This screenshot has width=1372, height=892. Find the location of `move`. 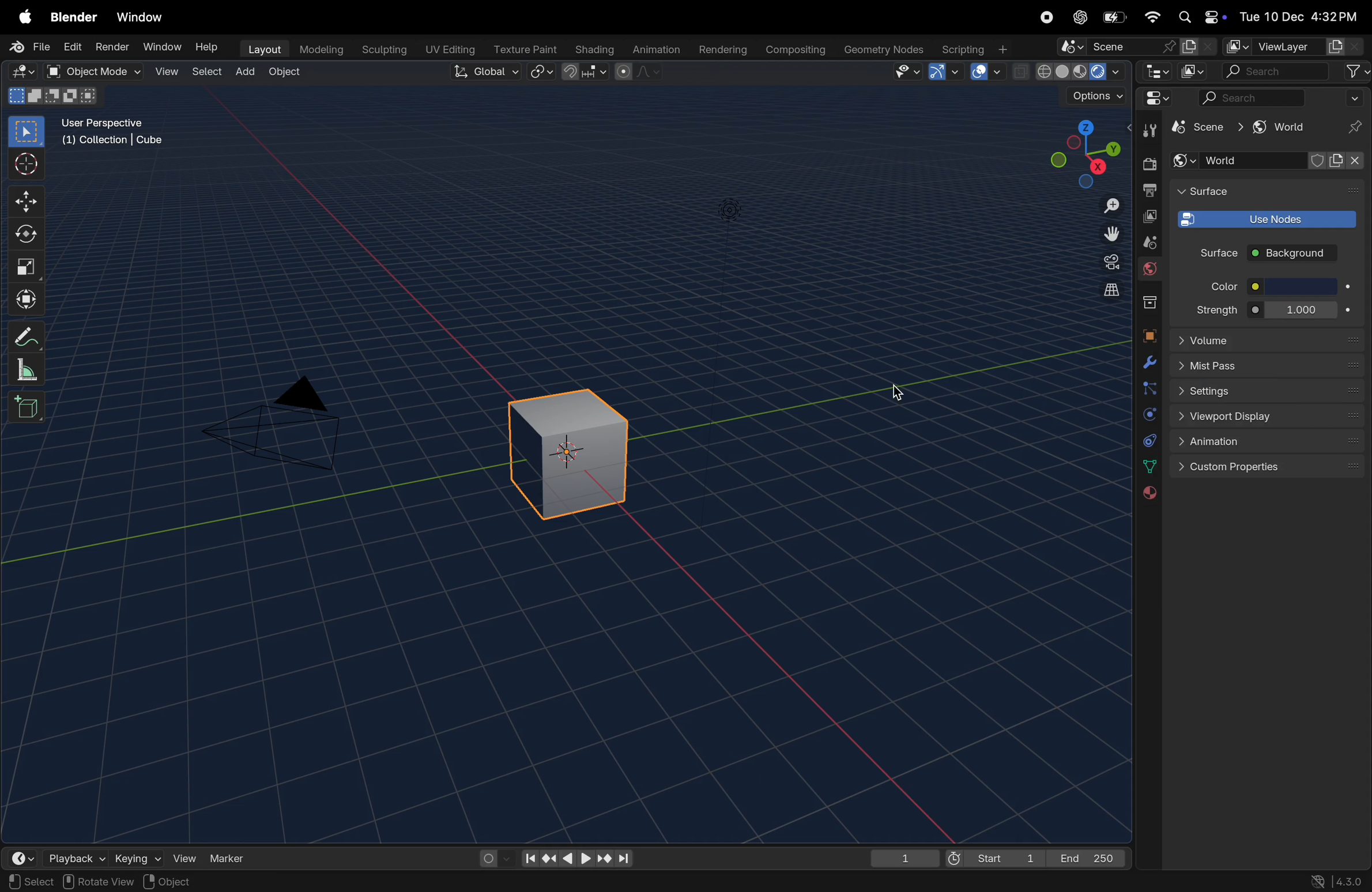

move is located at coordinates (28, 200).